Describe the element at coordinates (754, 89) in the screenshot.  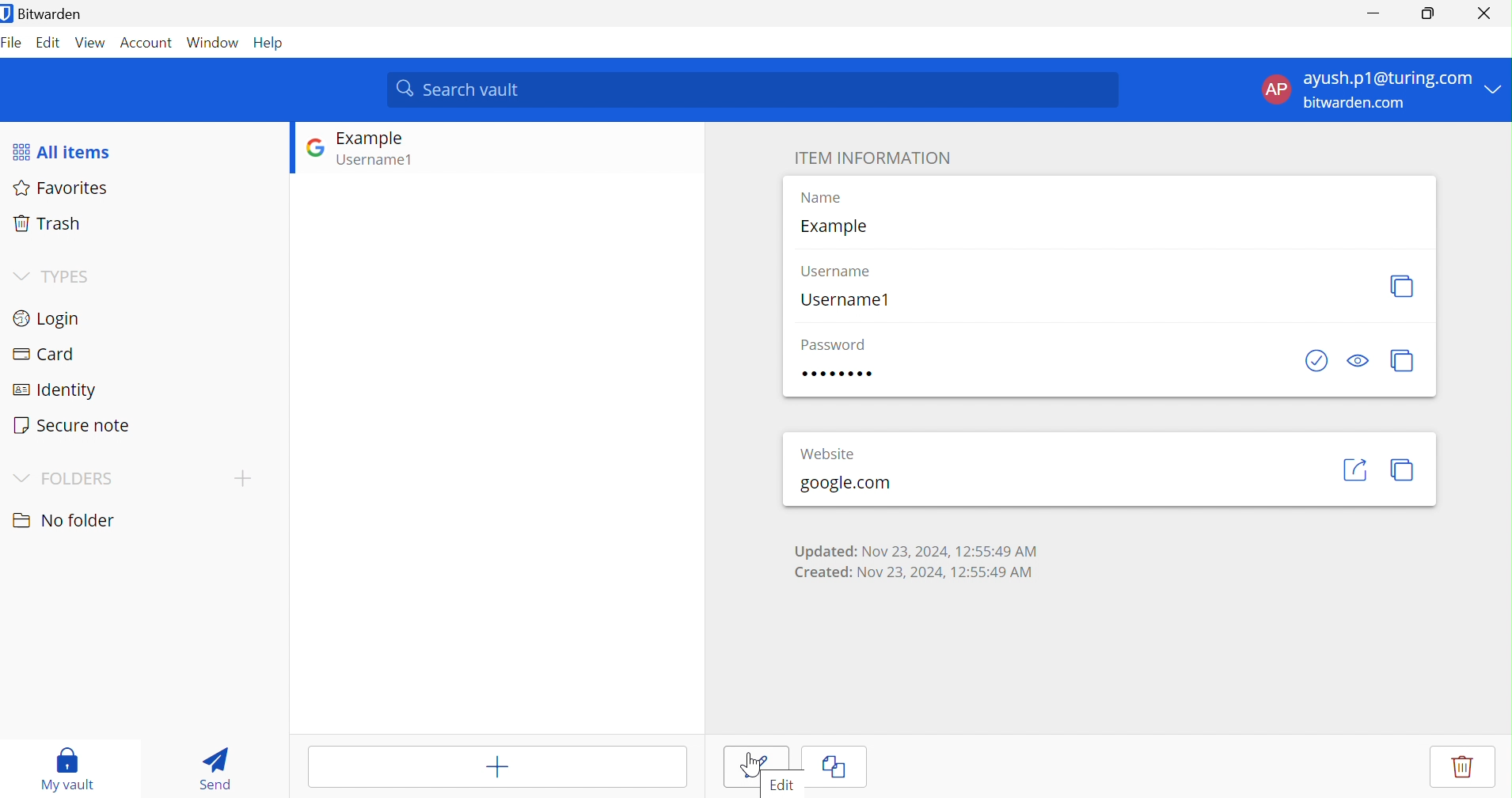
I see `Search vault` at that location.